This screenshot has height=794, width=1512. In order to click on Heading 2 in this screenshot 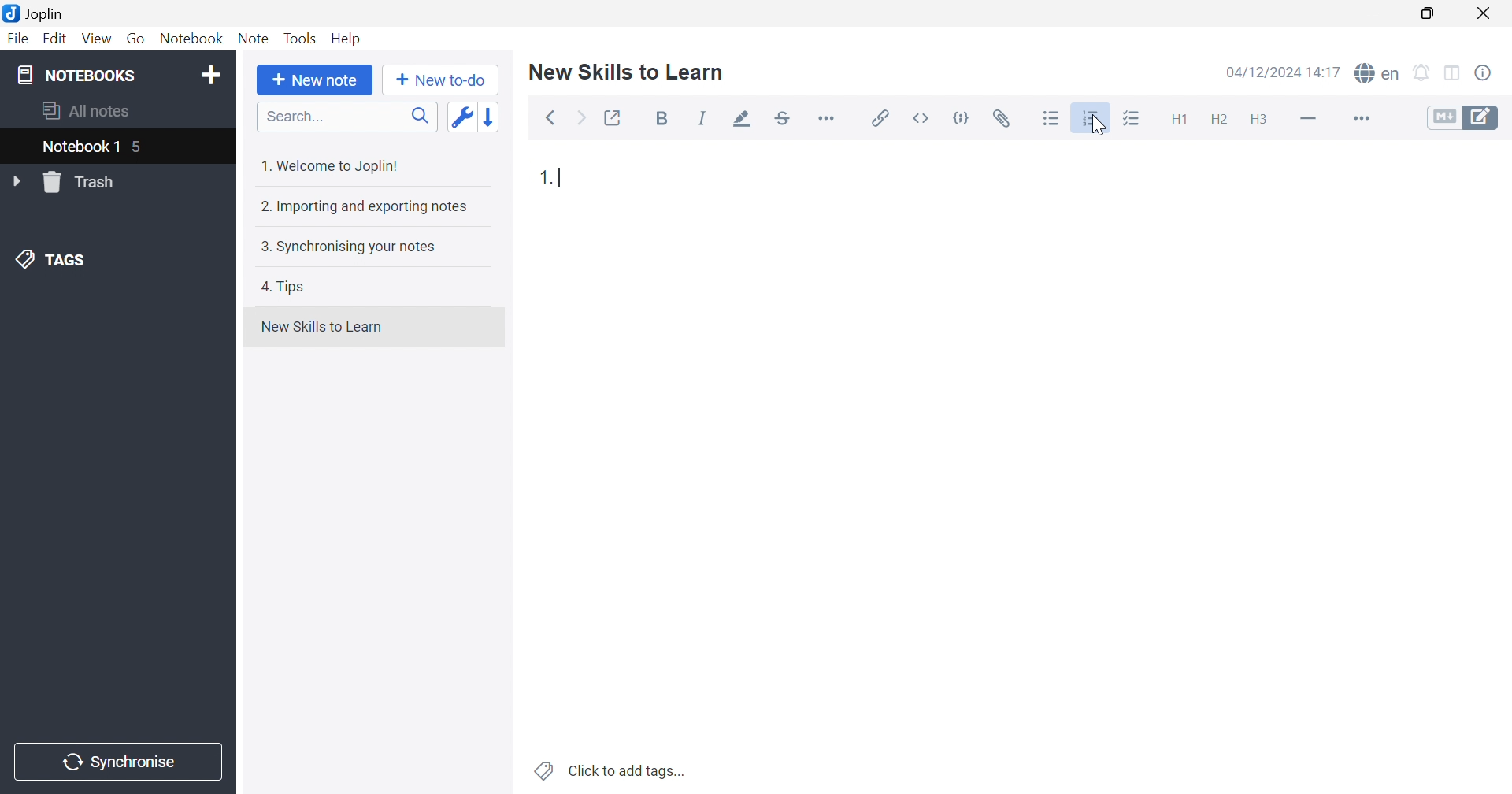, I will do `click(1219, 120)`.